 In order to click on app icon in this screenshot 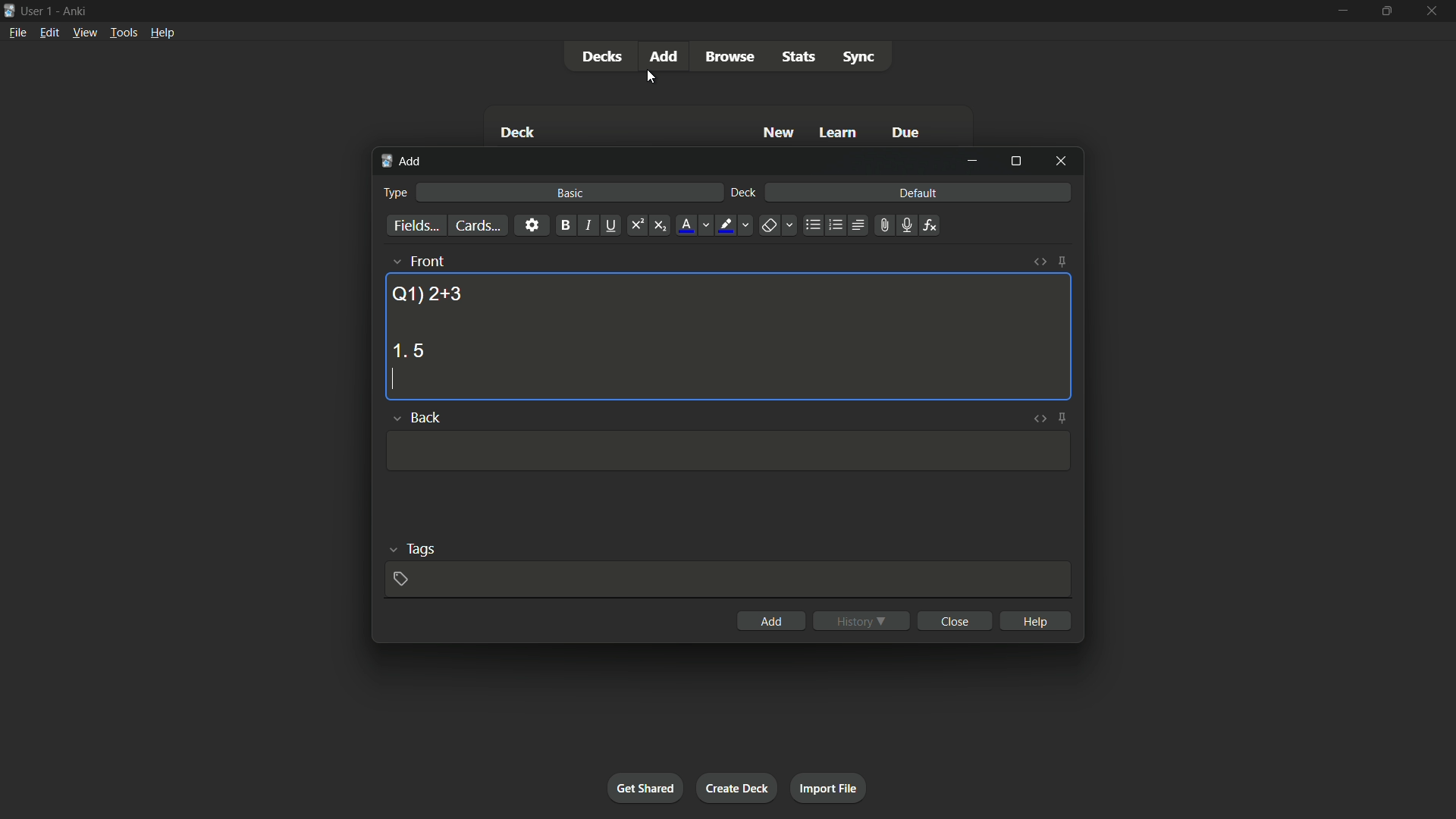, I will do `click(9, 9)`.